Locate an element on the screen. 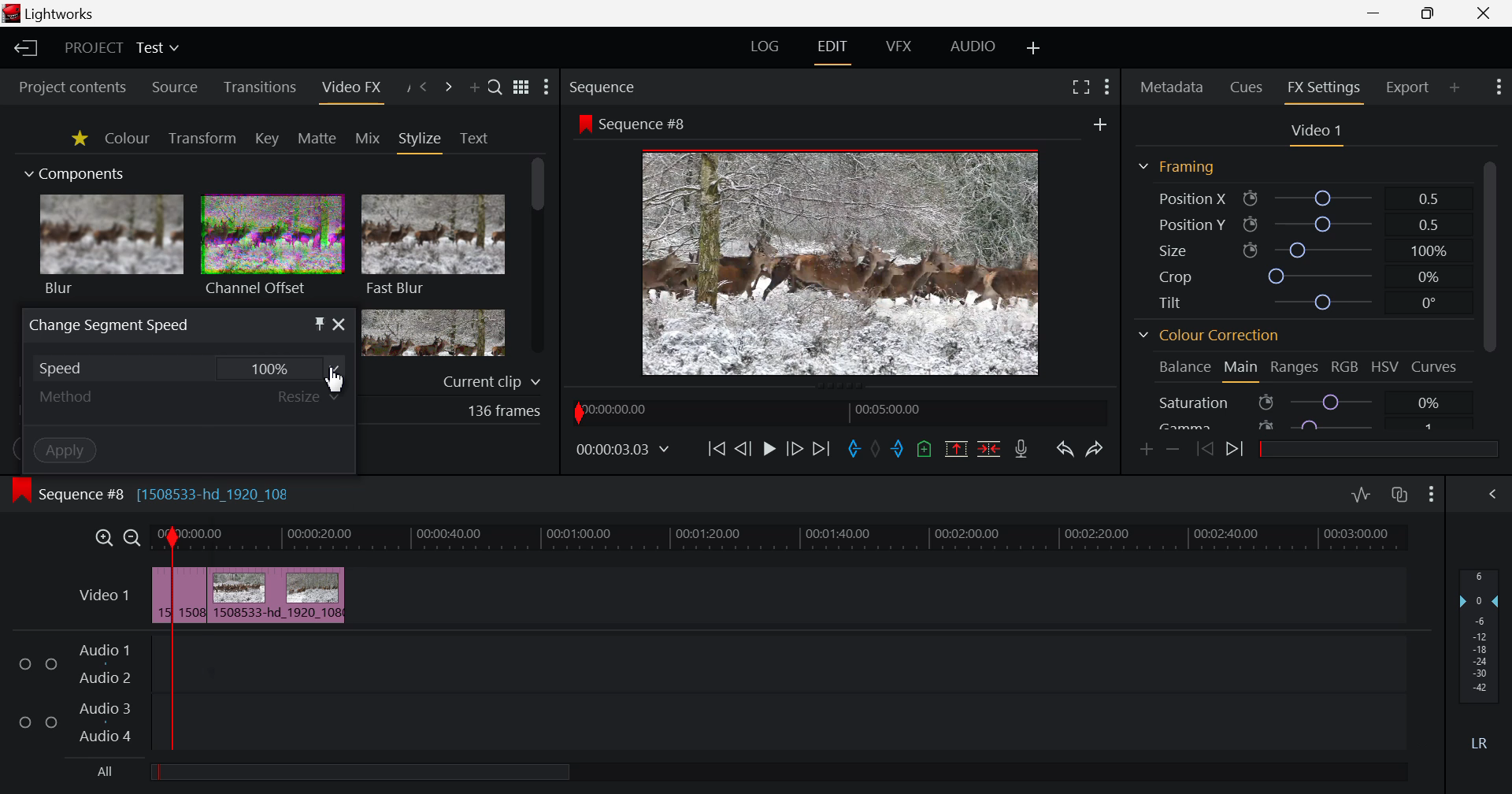 Image resolution: width=1512 pixels, height=794 pixels. Transitions is located at coordinates (259, 88).